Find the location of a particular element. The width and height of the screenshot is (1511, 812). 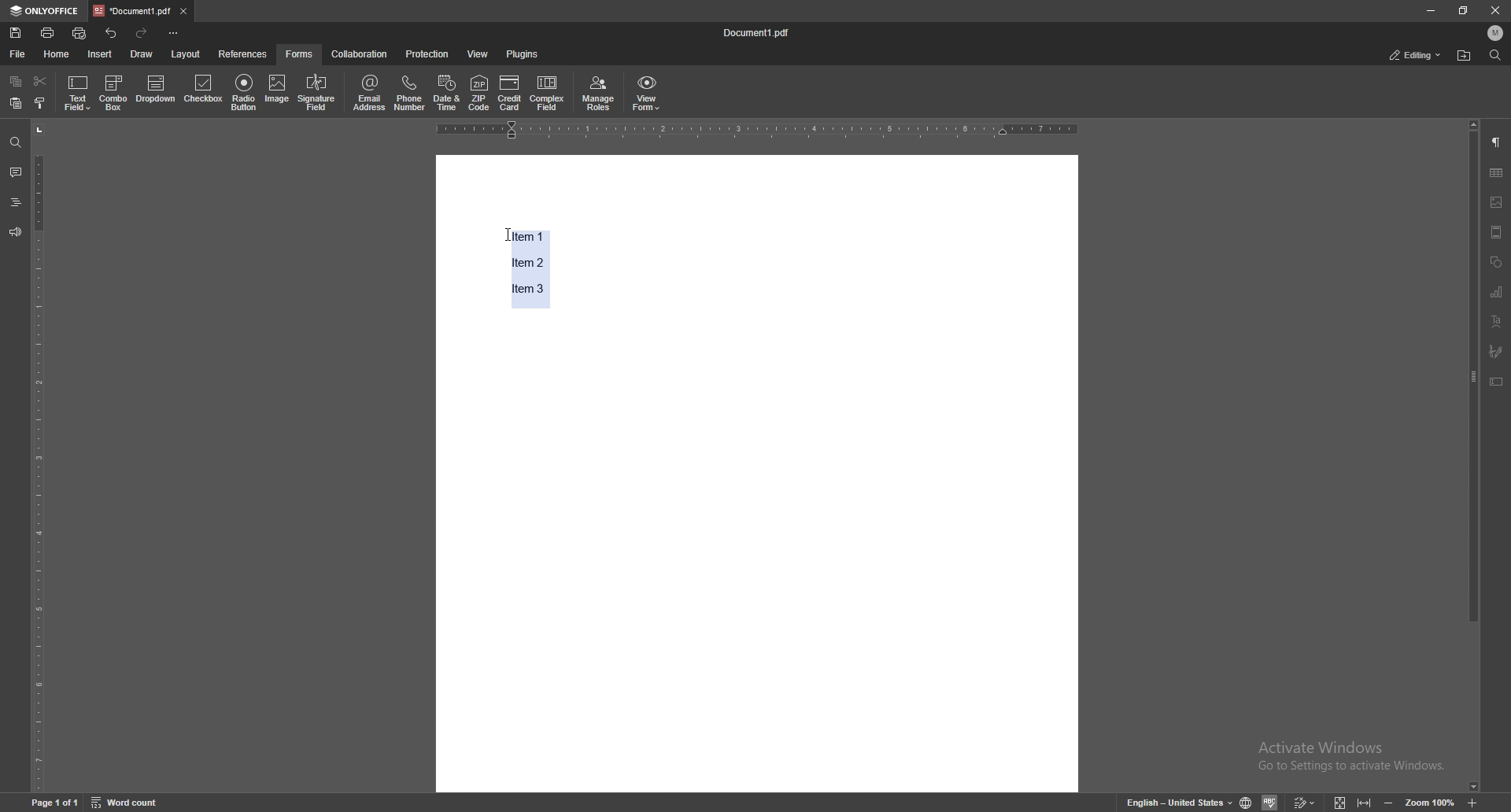

text art is located at coordinates (1498, 322).